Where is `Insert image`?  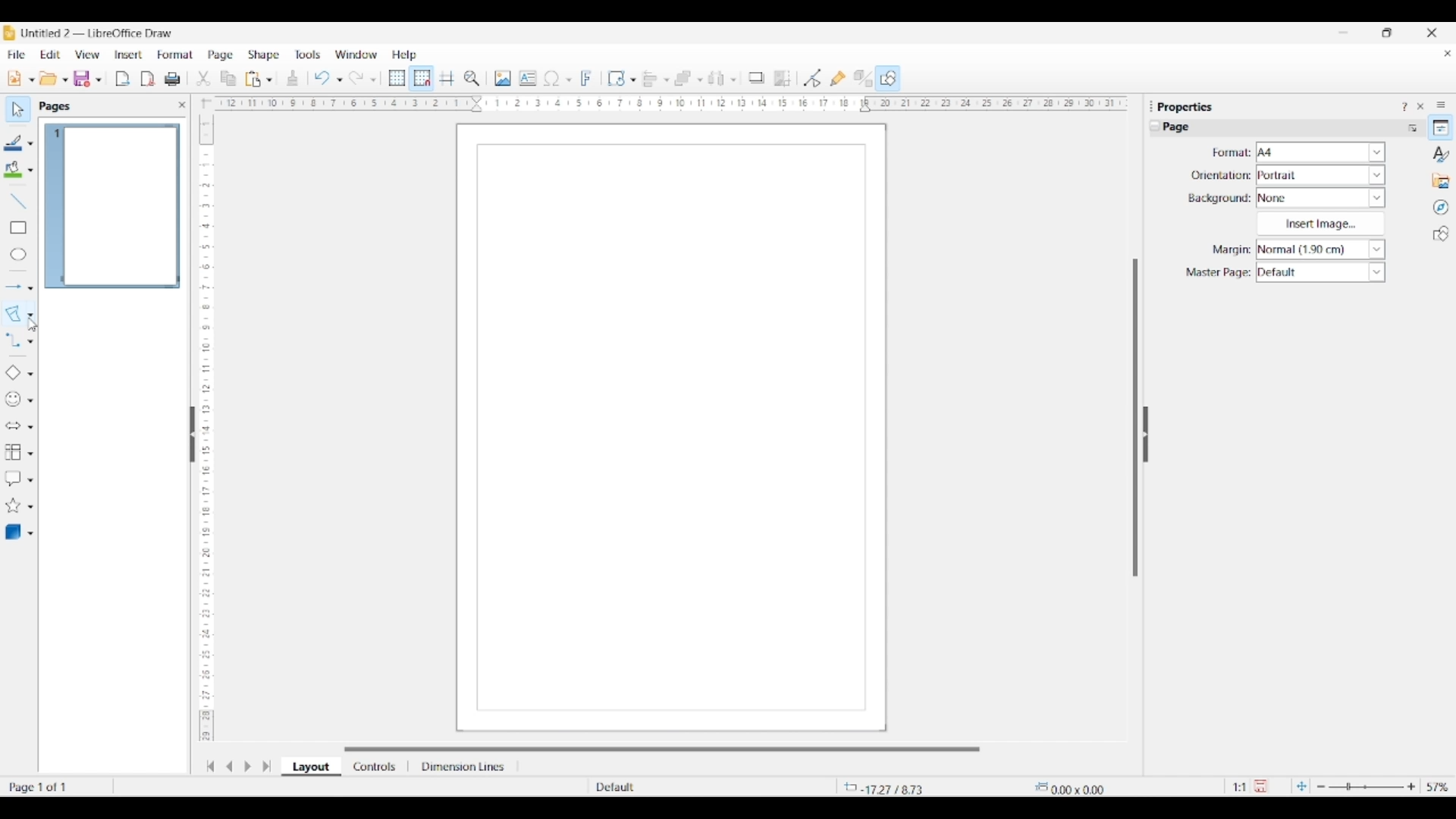 Insert image is located at coordinates (1320, 224).